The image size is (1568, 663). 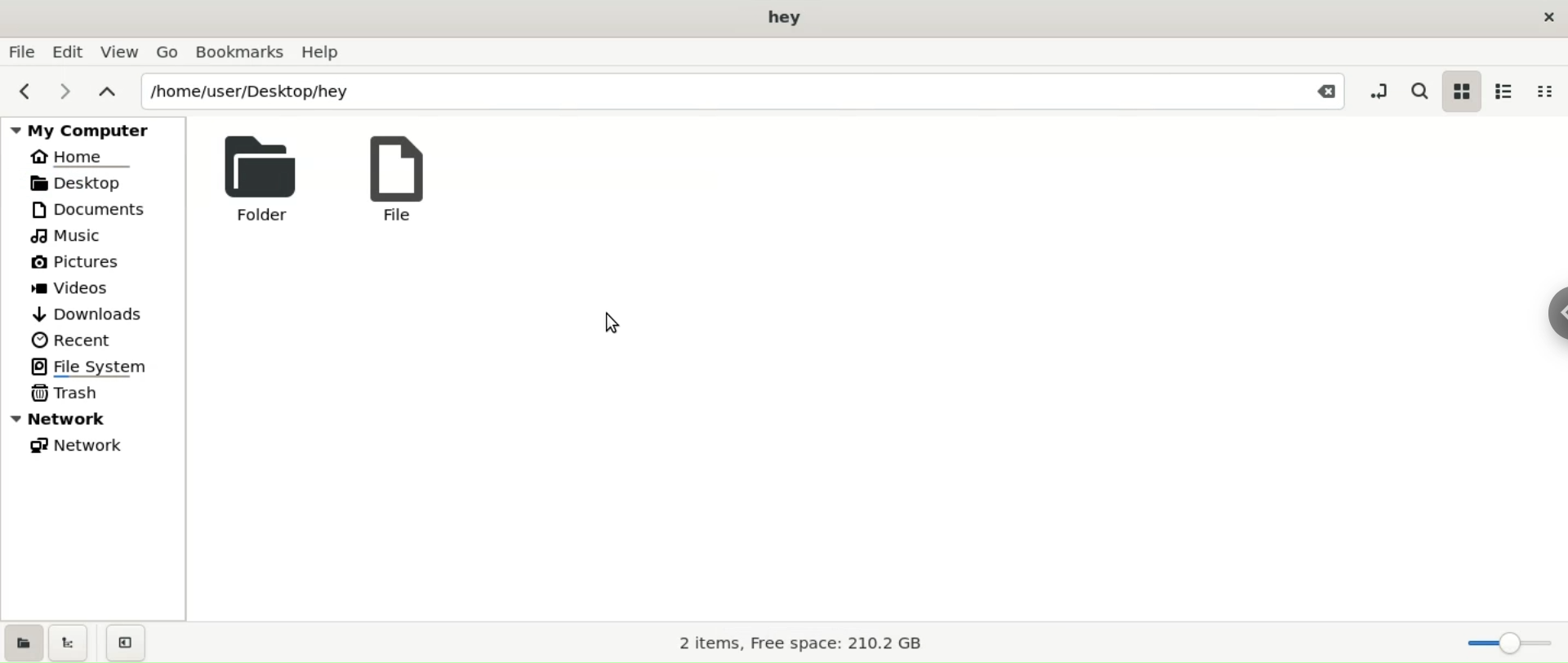 I want to click on hey, so click(x=790, y=16).